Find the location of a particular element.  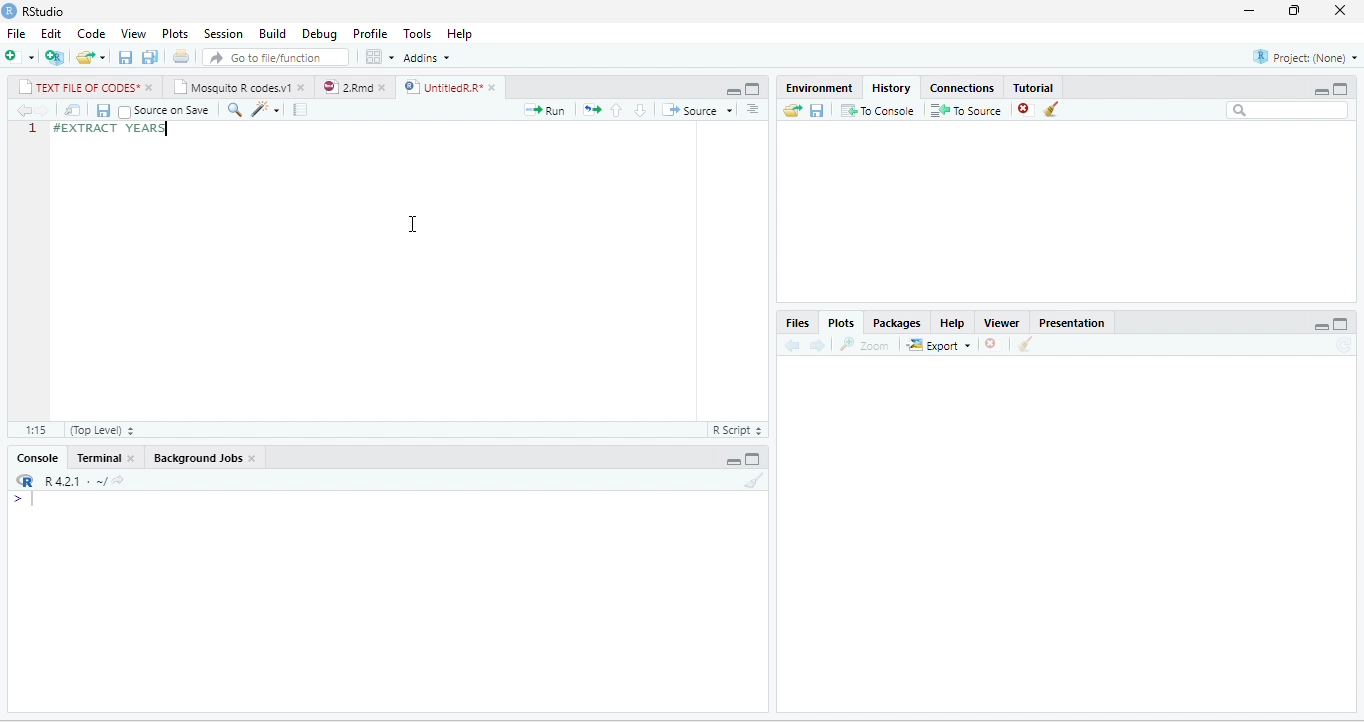

open in new window is located at coordinates (73, 110).